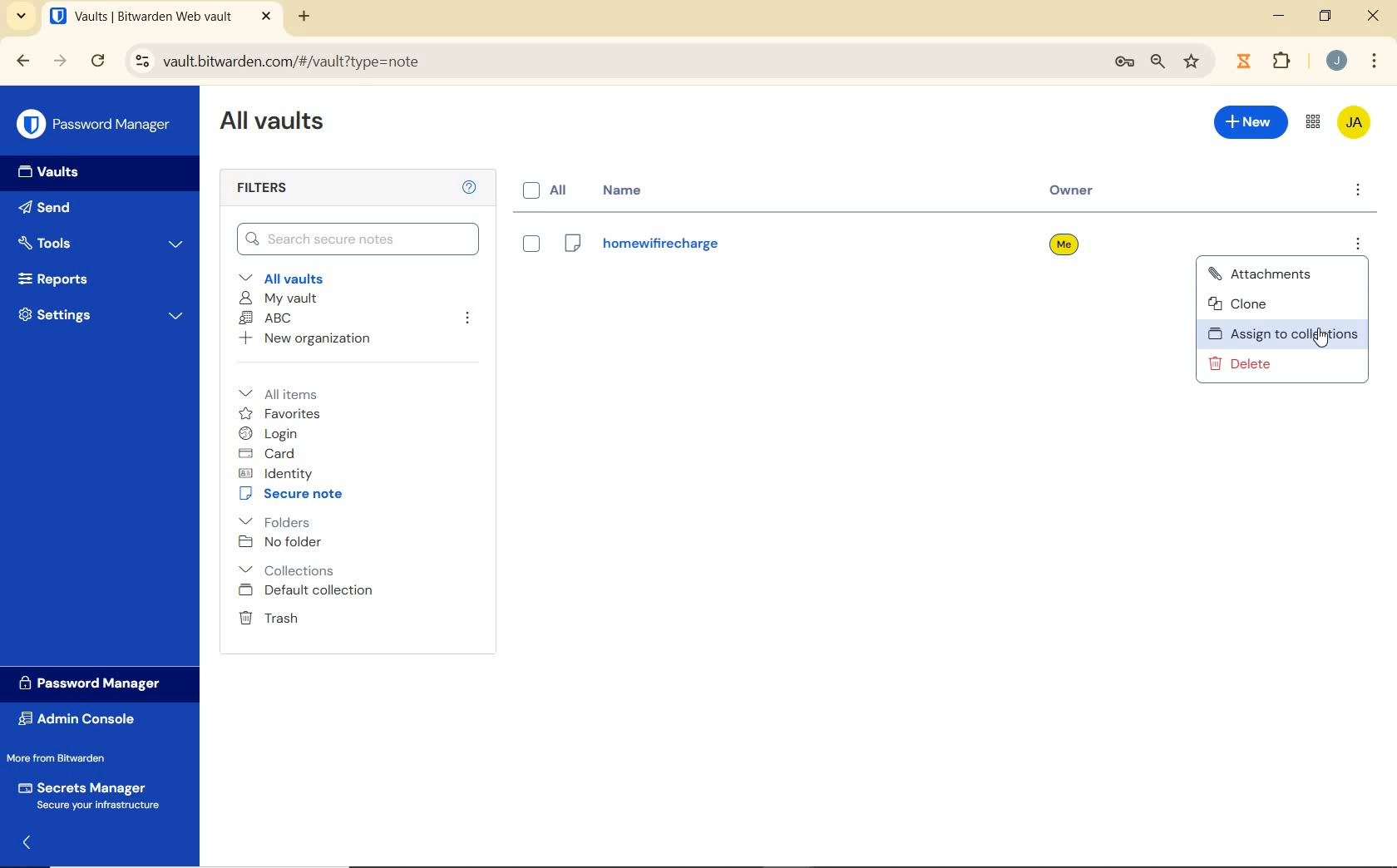  Describe the element at coordinates (308, 591) in the screenshot. I see `Default collection` at that location.